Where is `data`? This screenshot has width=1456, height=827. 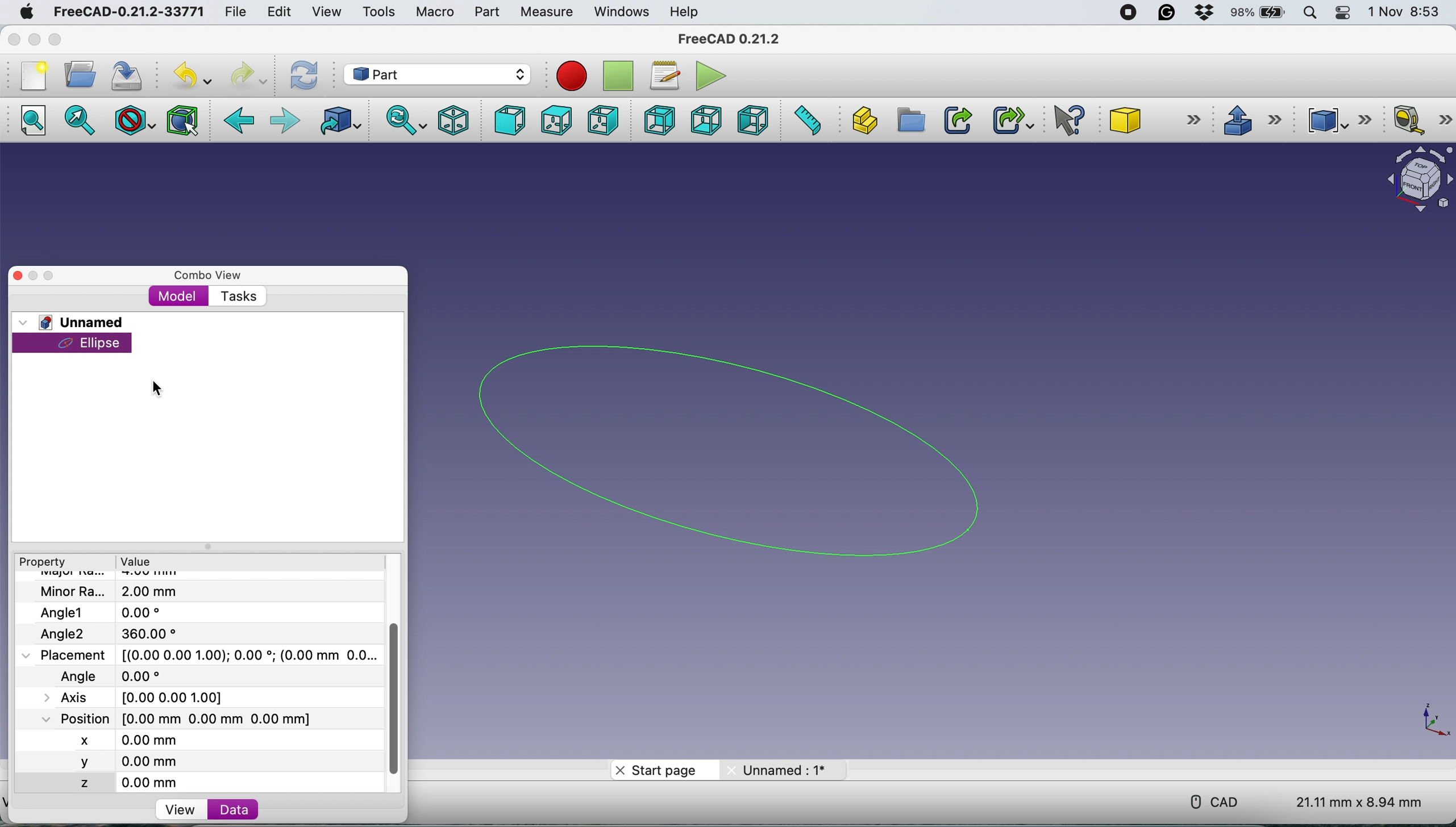 data is located at coordinates (234, 809).